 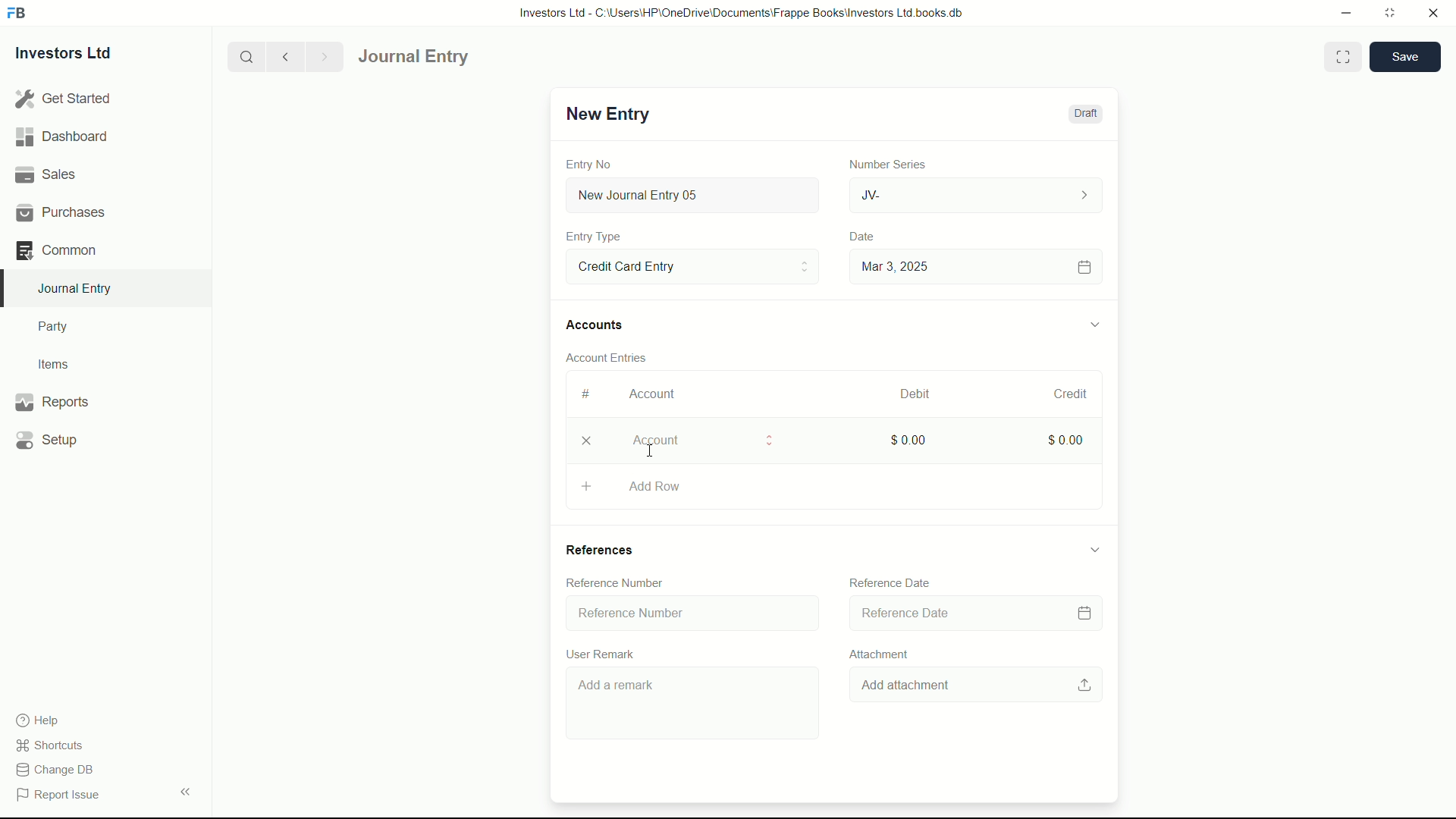 I want to click on Reference Number, so click(x=616, y=582).